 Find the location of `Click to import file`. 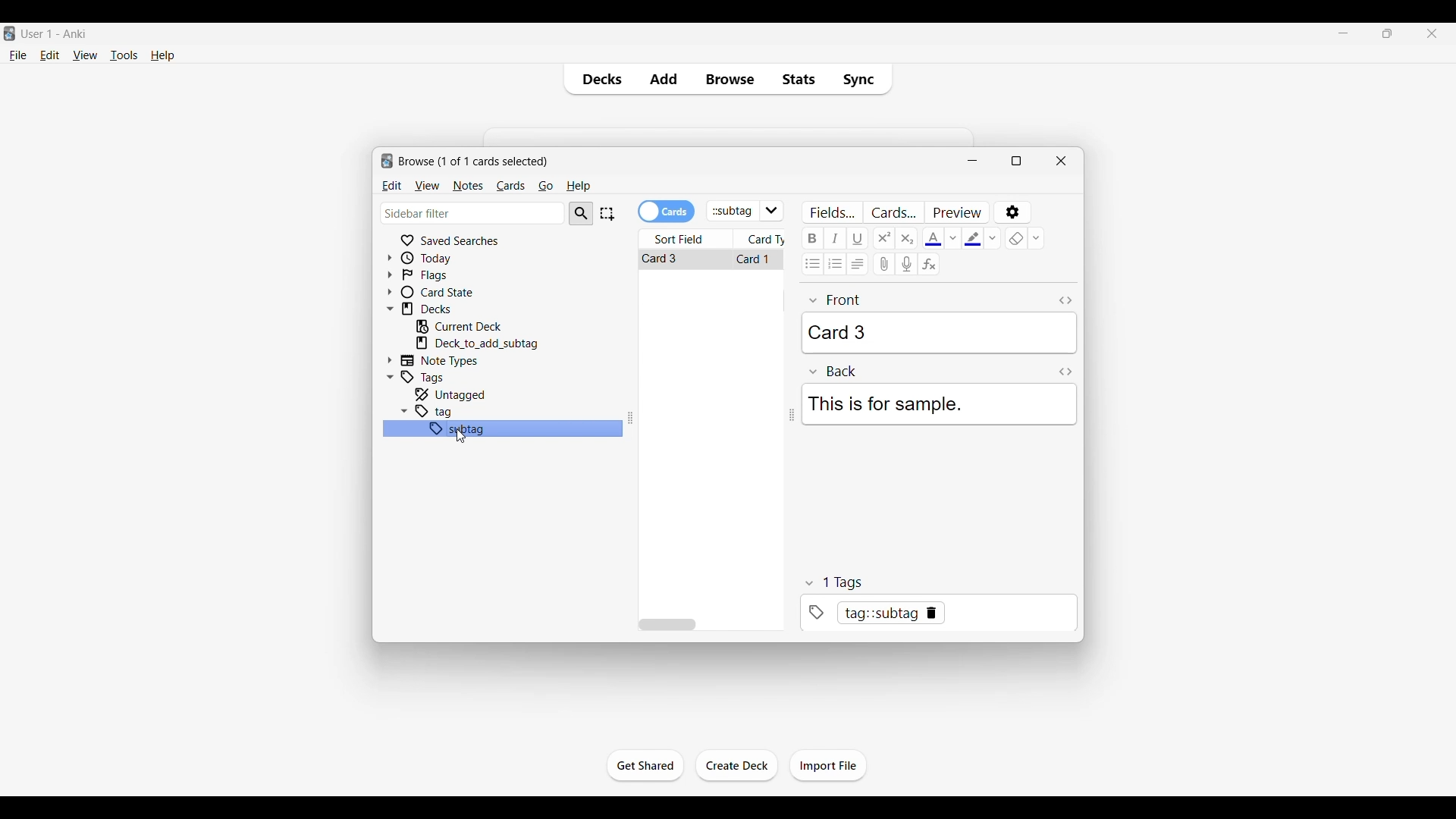

Click to import file is located at coordinates (829, 766).